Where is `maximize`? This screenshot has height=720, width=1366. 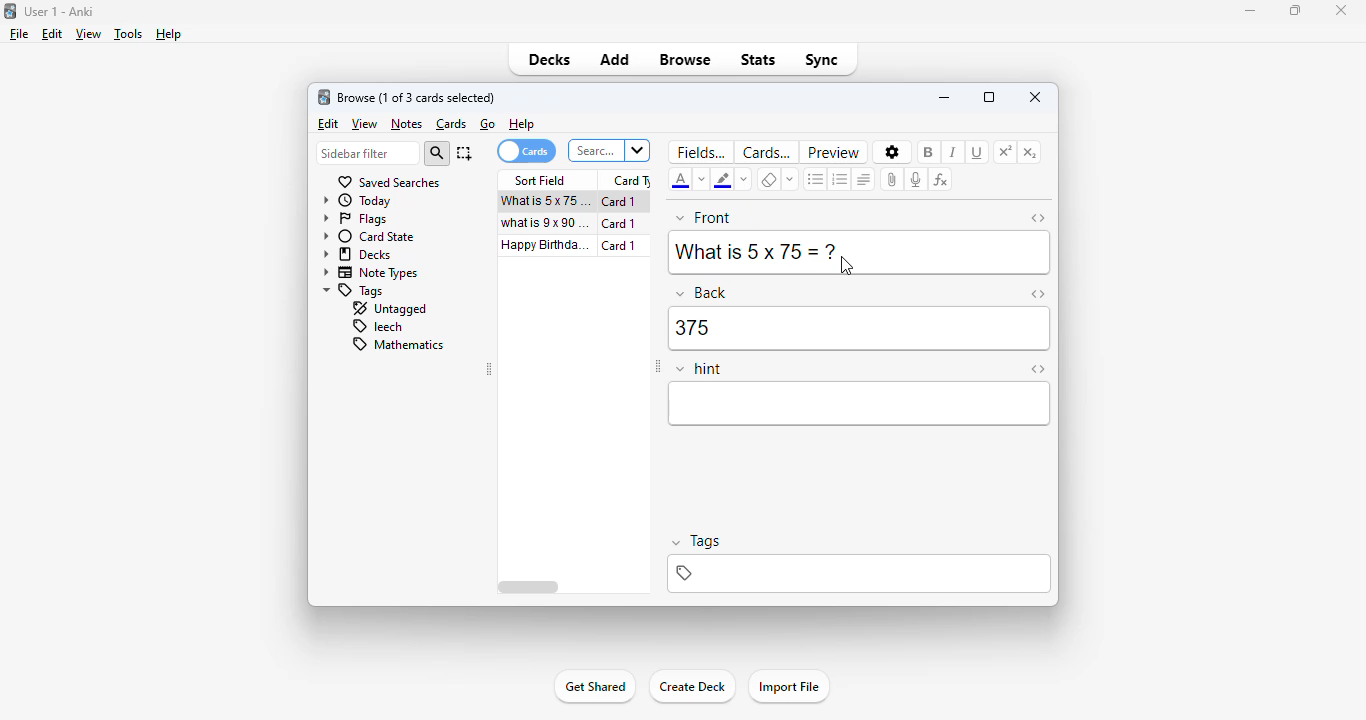
maximize is located at coordinates (989, 98).